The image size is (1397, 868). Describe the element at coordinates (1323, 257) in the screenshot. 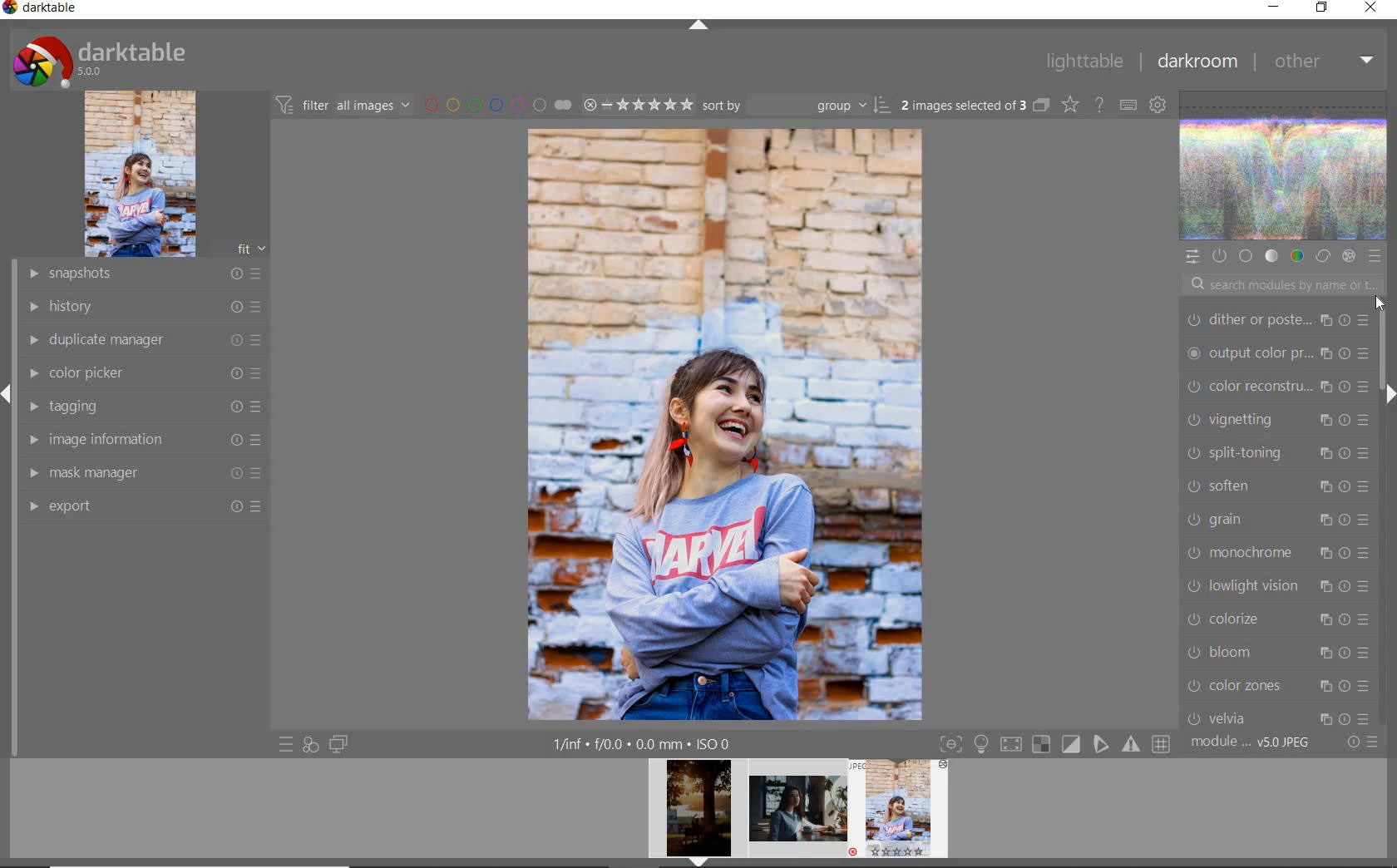

I see `correct` at that location.